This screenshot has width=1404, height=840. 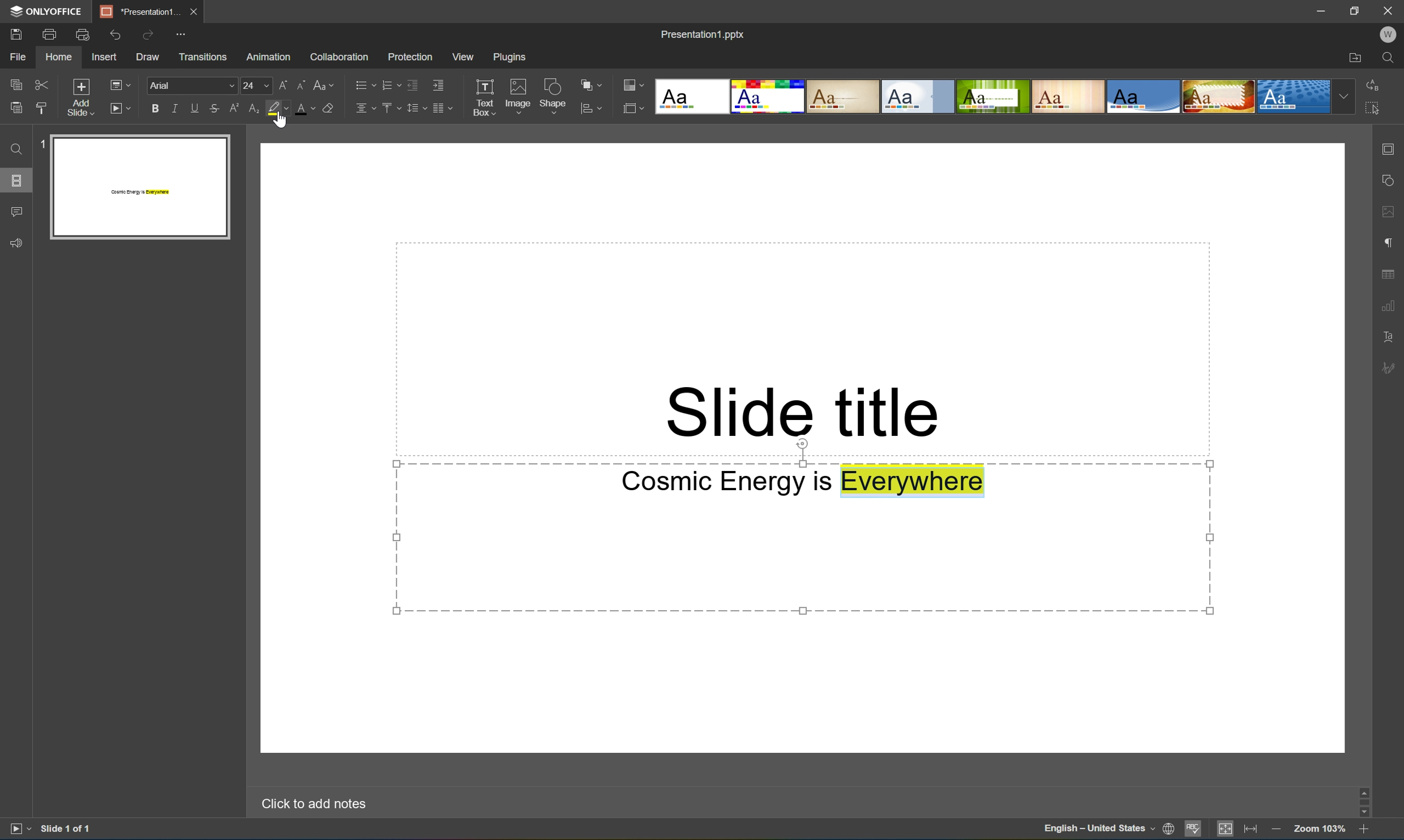 I want to click on Click to add notes, so click(x=314, y=806).